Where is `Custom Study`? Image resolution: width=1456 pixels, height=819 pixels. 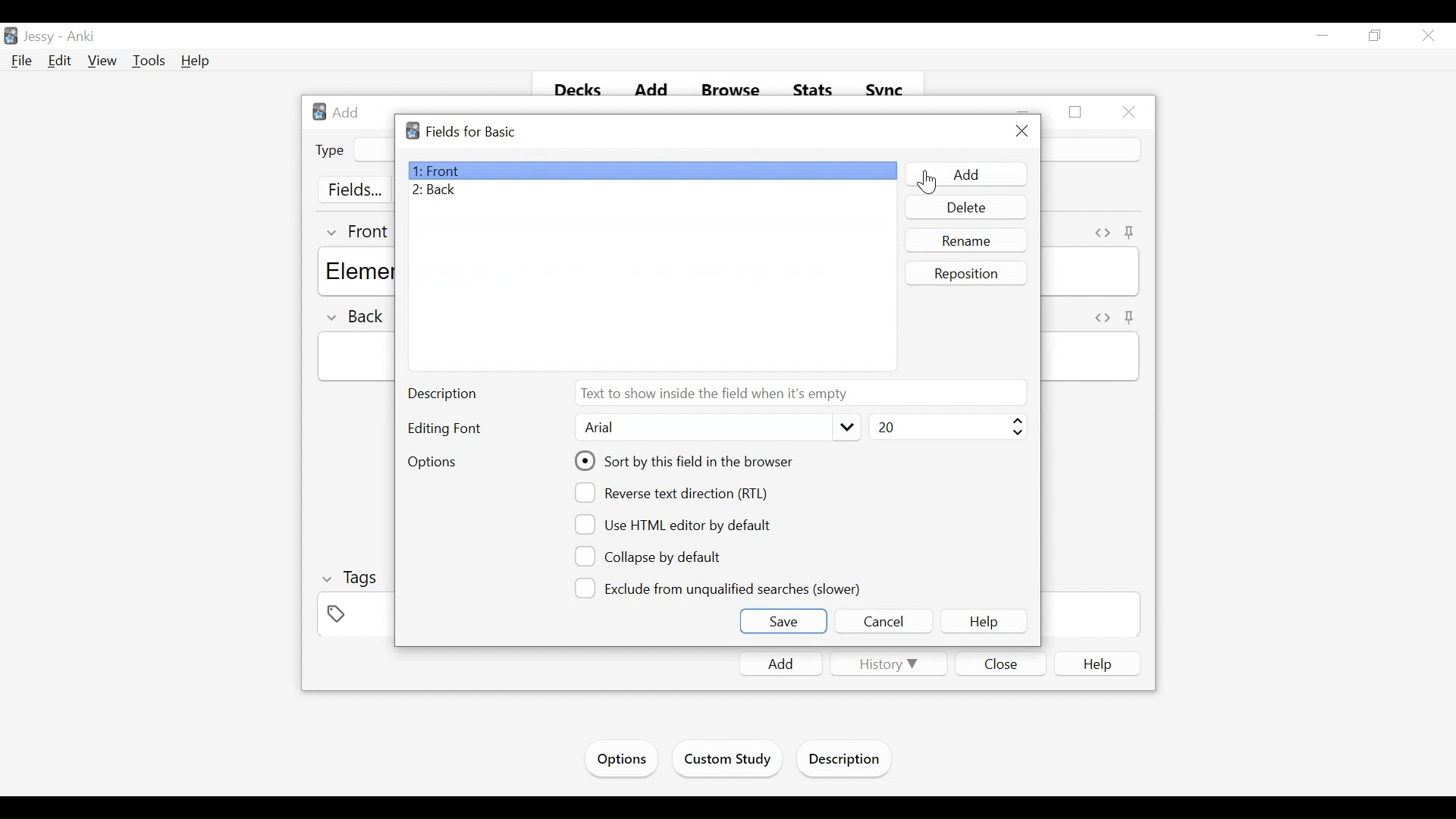 Custom Study is located at coordinates (729, 761).